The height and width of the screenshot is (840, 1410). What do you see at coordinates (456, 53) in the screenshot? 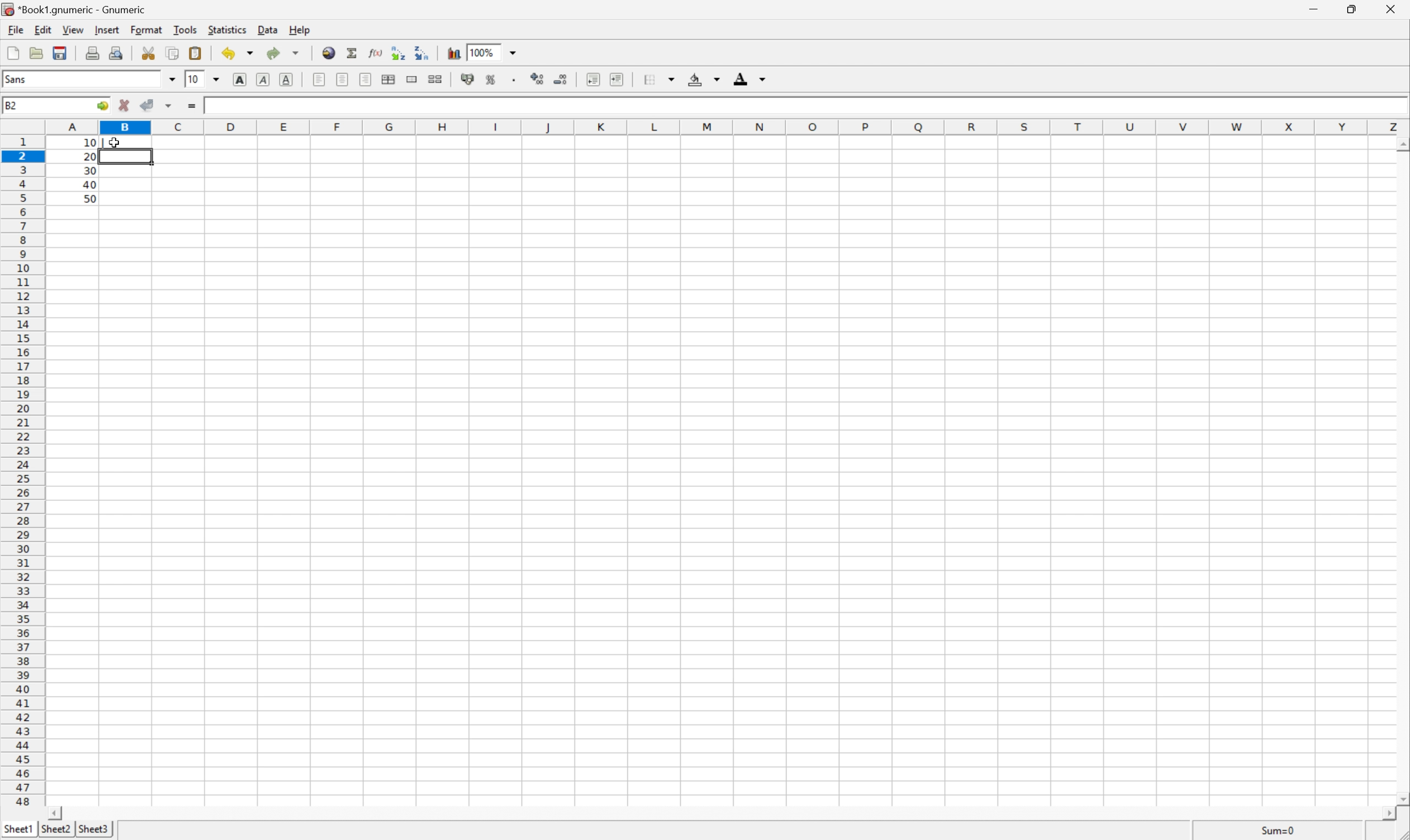
I see `Insert chart` at bounding box center [456, 53].